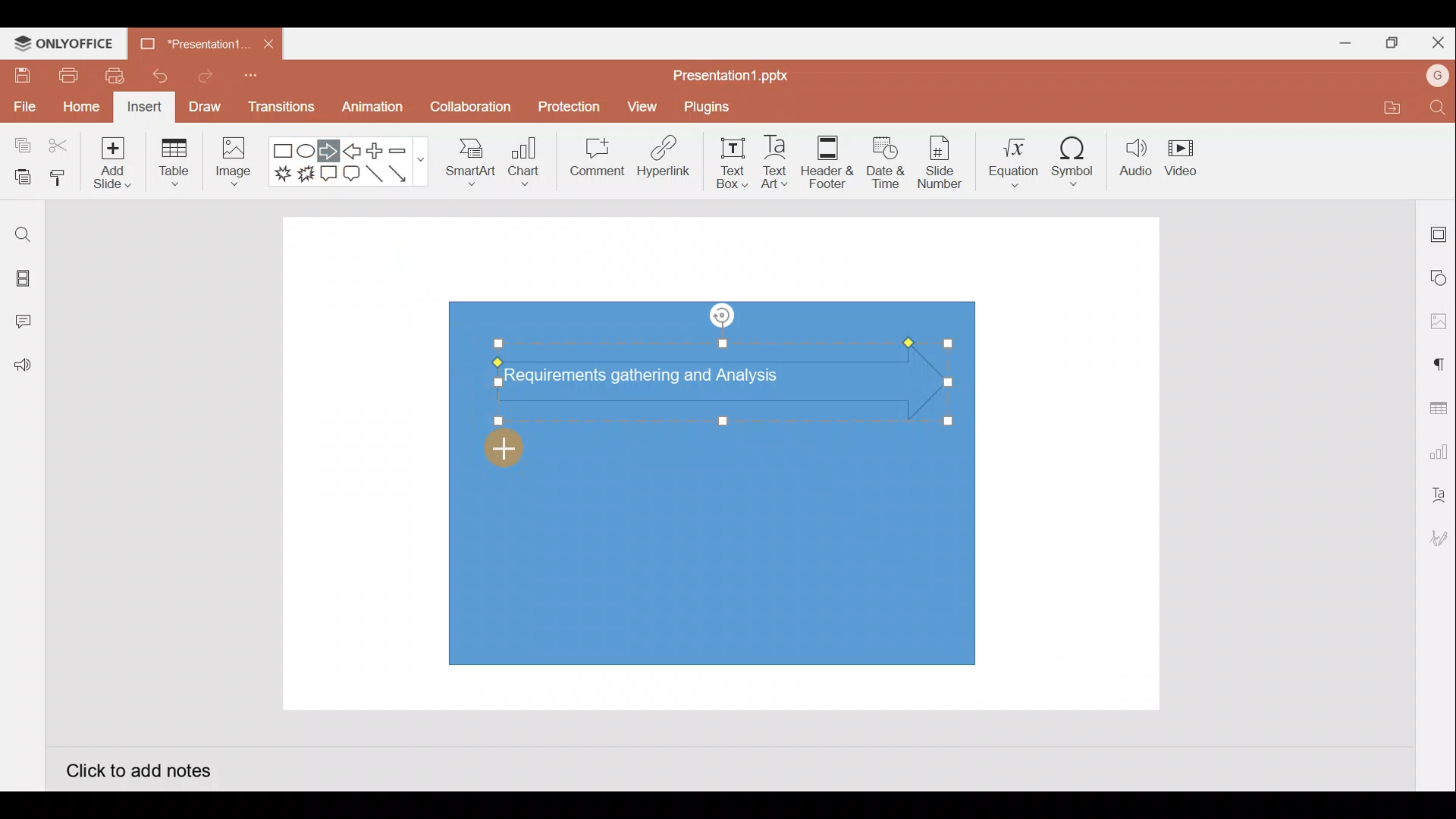 The width and height of the screenshot is (1456, 819). Describe the element at coordinates (1437, 495) in the screenshot. I see `Text Art settings` at that location.